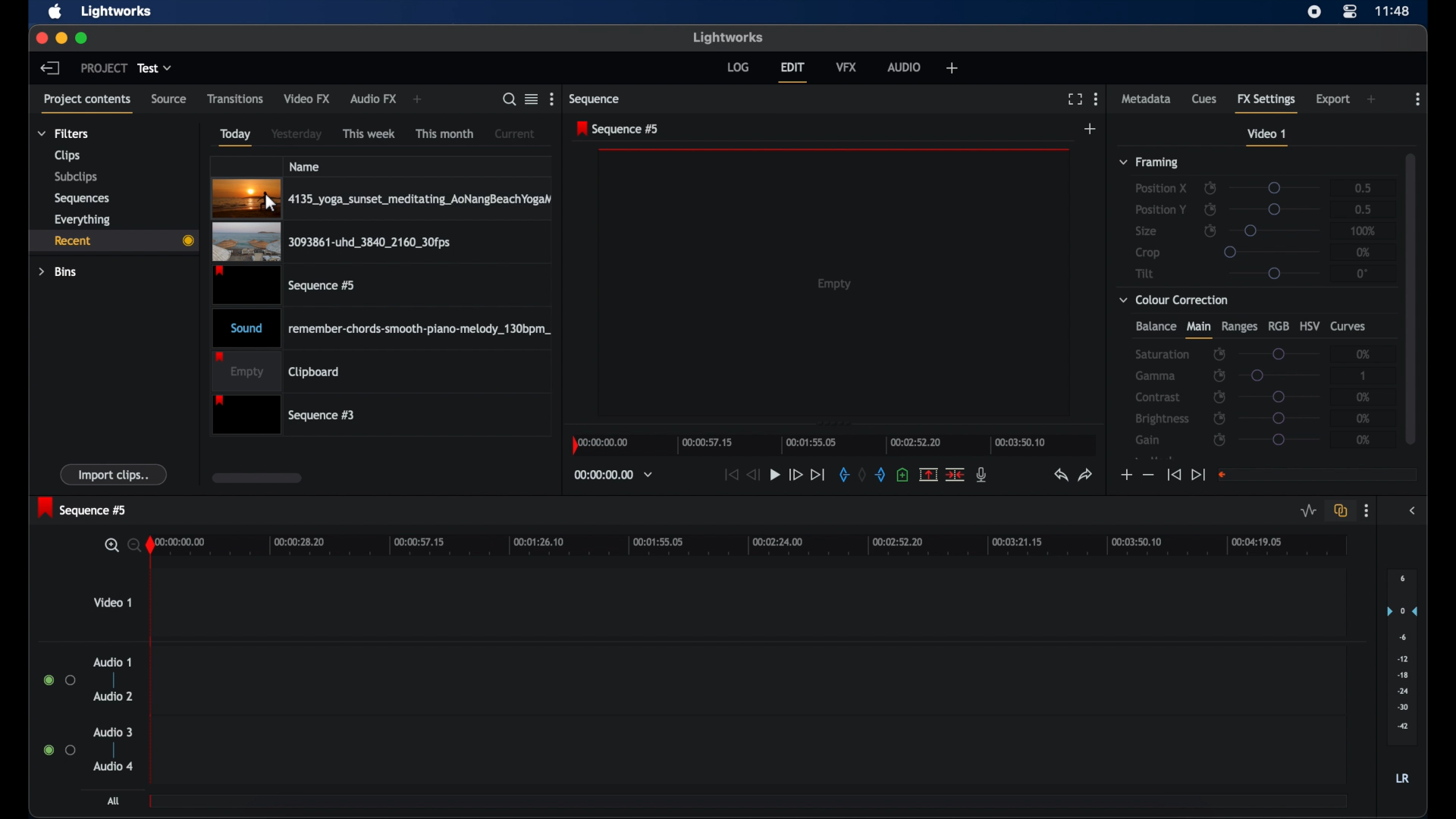 This screenshot has height=819, width=1456. Describe the element at coordinates (256, 478) in the screenshot. I see `scroll box` at that location.